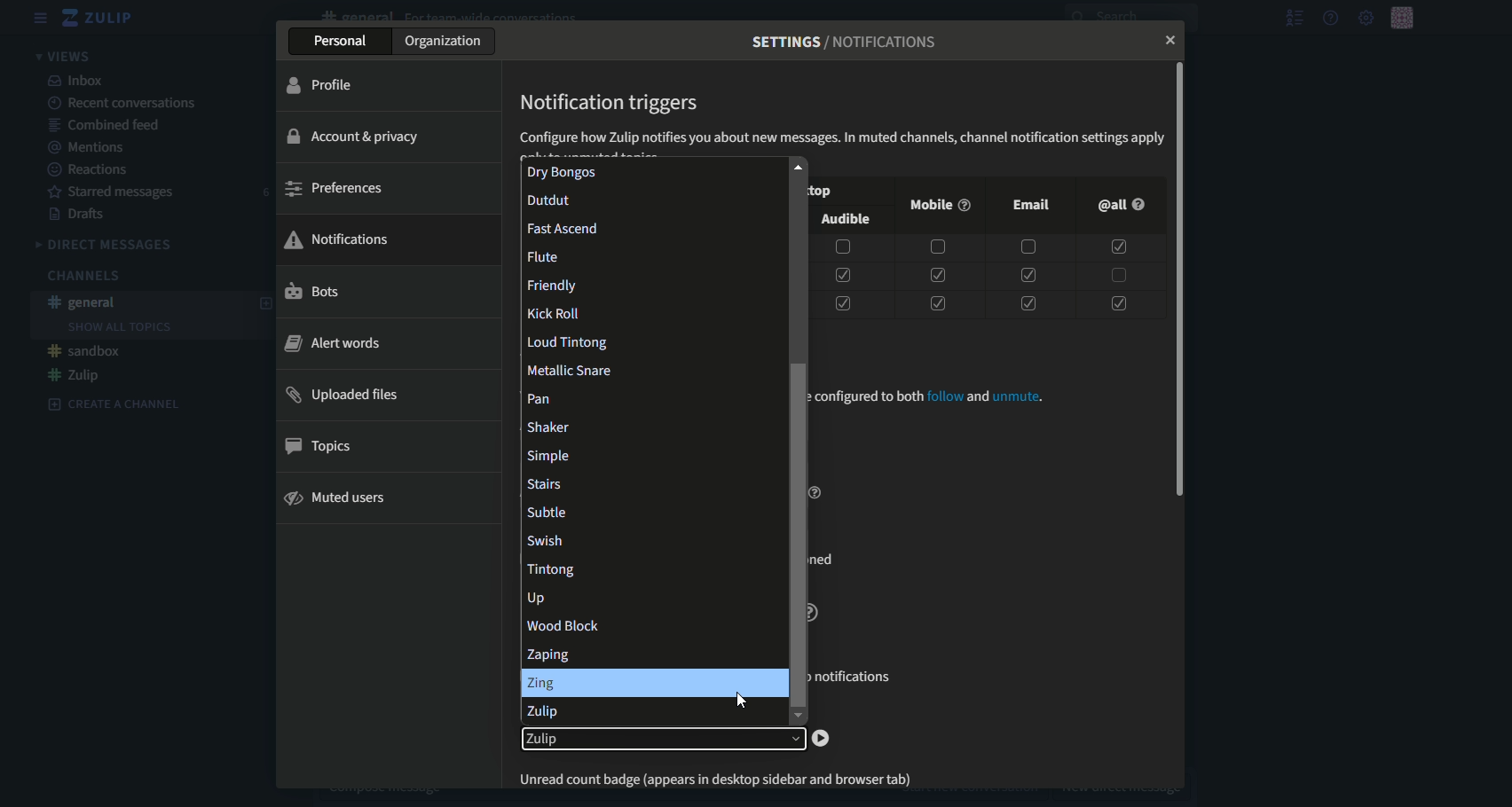  What do you see at coordinates (1032, 204) in the screenshot?
I see `email` at bounding box center [1032, 204].